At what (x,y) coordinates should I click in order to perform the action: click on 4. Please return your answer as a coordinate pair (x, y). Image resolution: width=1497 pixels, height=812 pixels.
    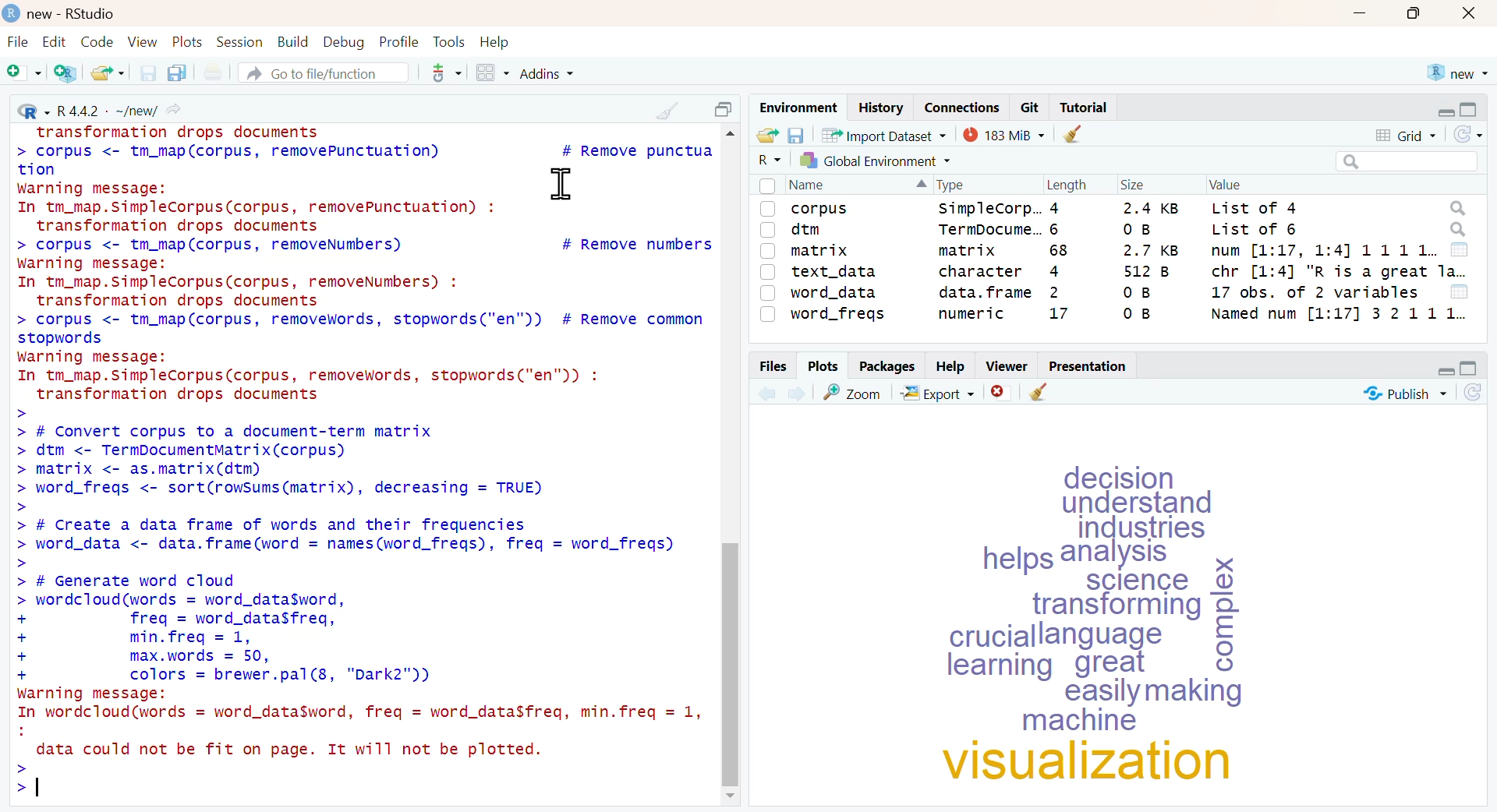
    Looking at the image, I should click on (1050, 270).